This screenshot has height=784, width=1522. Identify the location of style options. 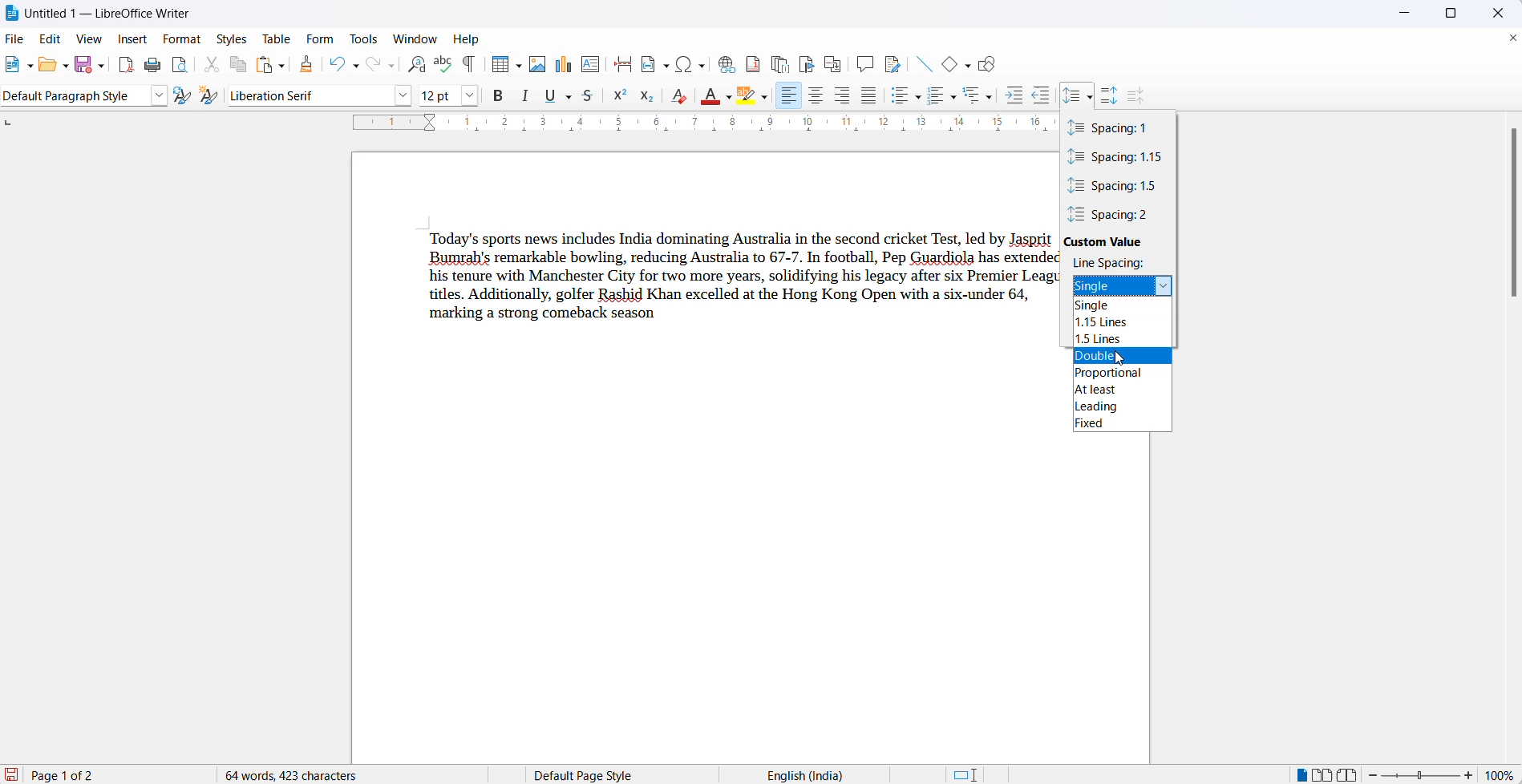
(158, 95).